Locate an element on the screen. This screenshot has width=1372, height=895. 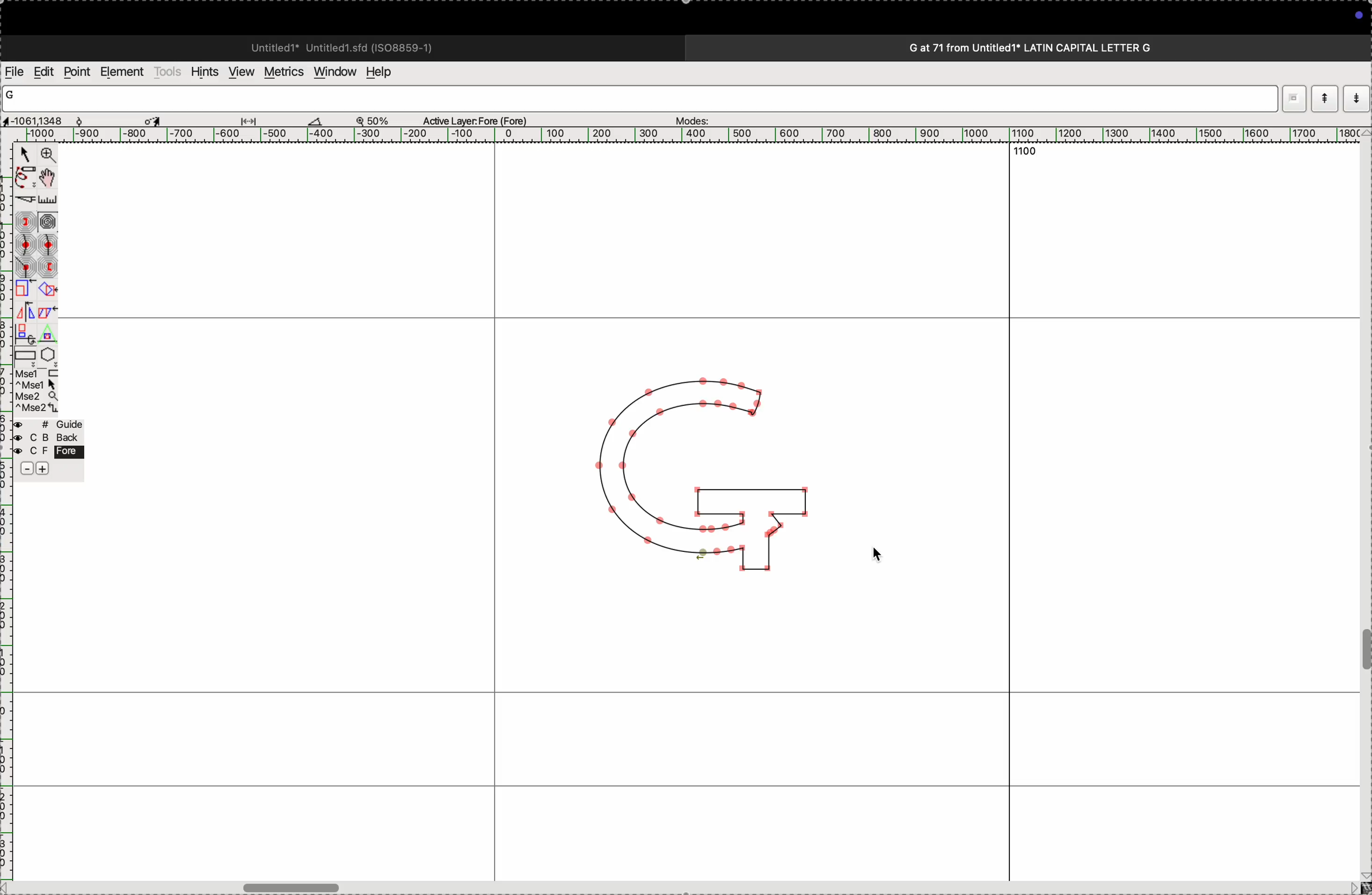
sharp curve is located at coordinates (47, 244).